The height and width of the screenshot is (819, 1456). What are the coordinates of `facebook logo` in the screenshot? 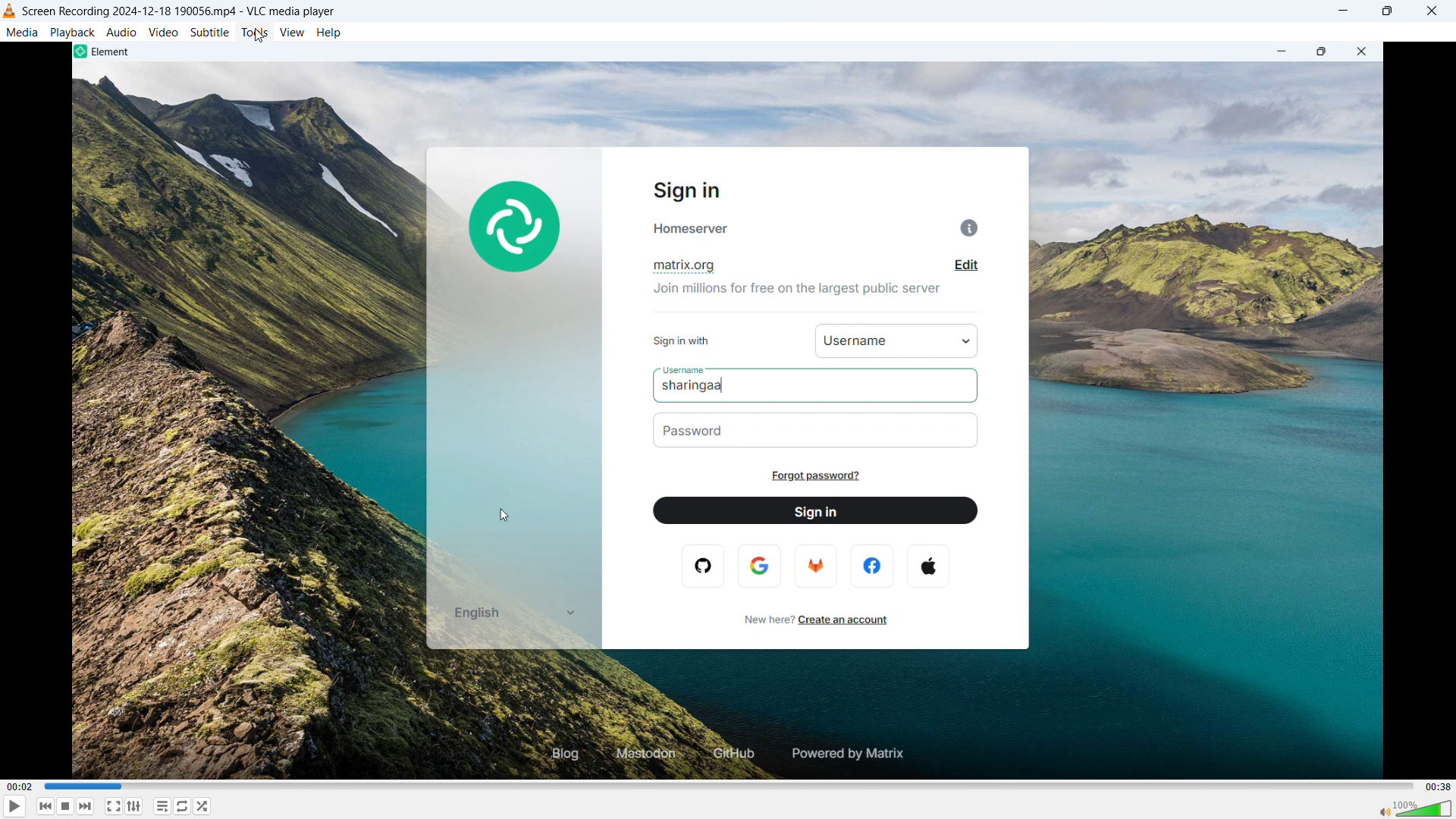 It's located at (874, 565).